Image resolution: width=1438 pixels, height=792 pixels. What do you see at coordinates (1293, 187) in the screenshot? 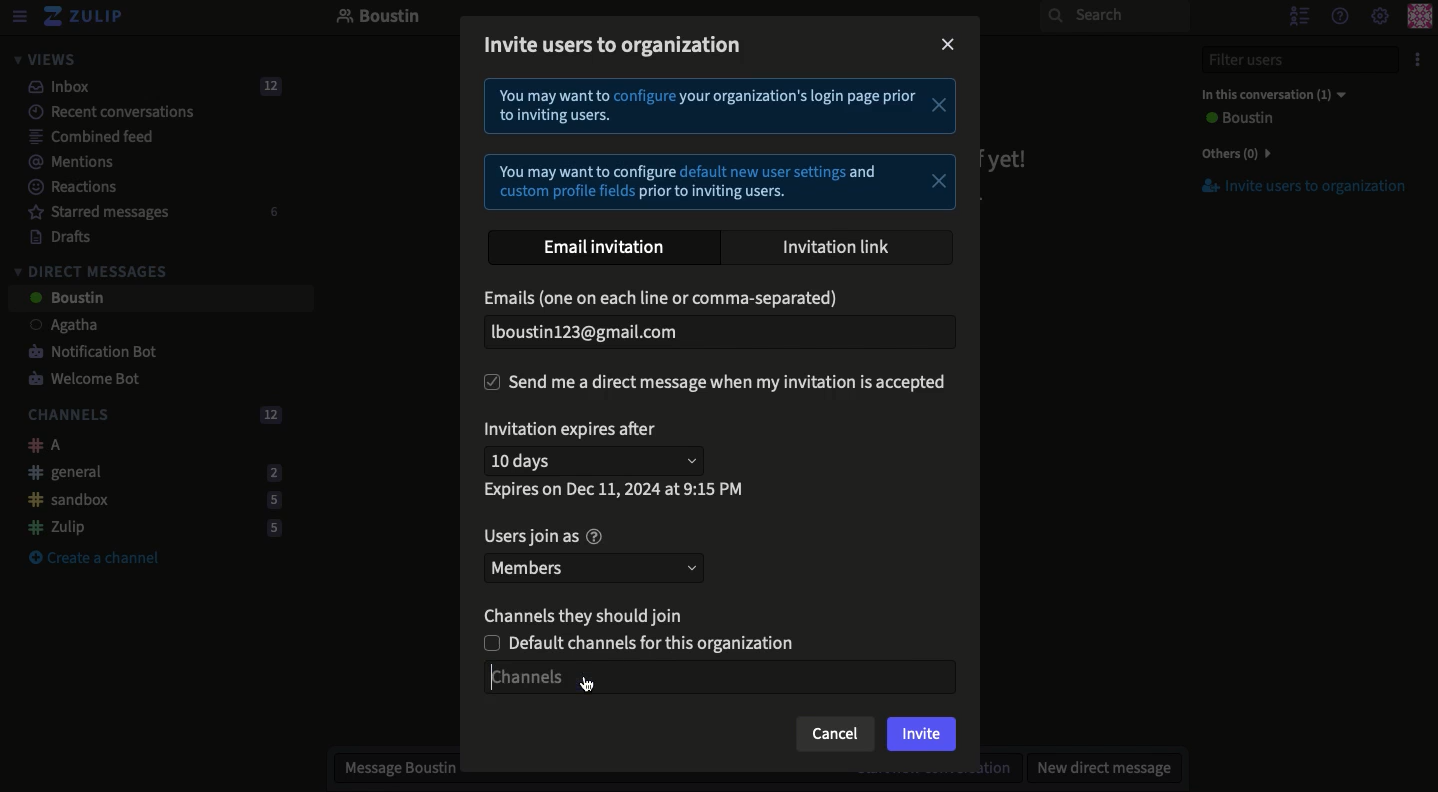
I see `Invite users to organization` at bounding box center [1293, 187].